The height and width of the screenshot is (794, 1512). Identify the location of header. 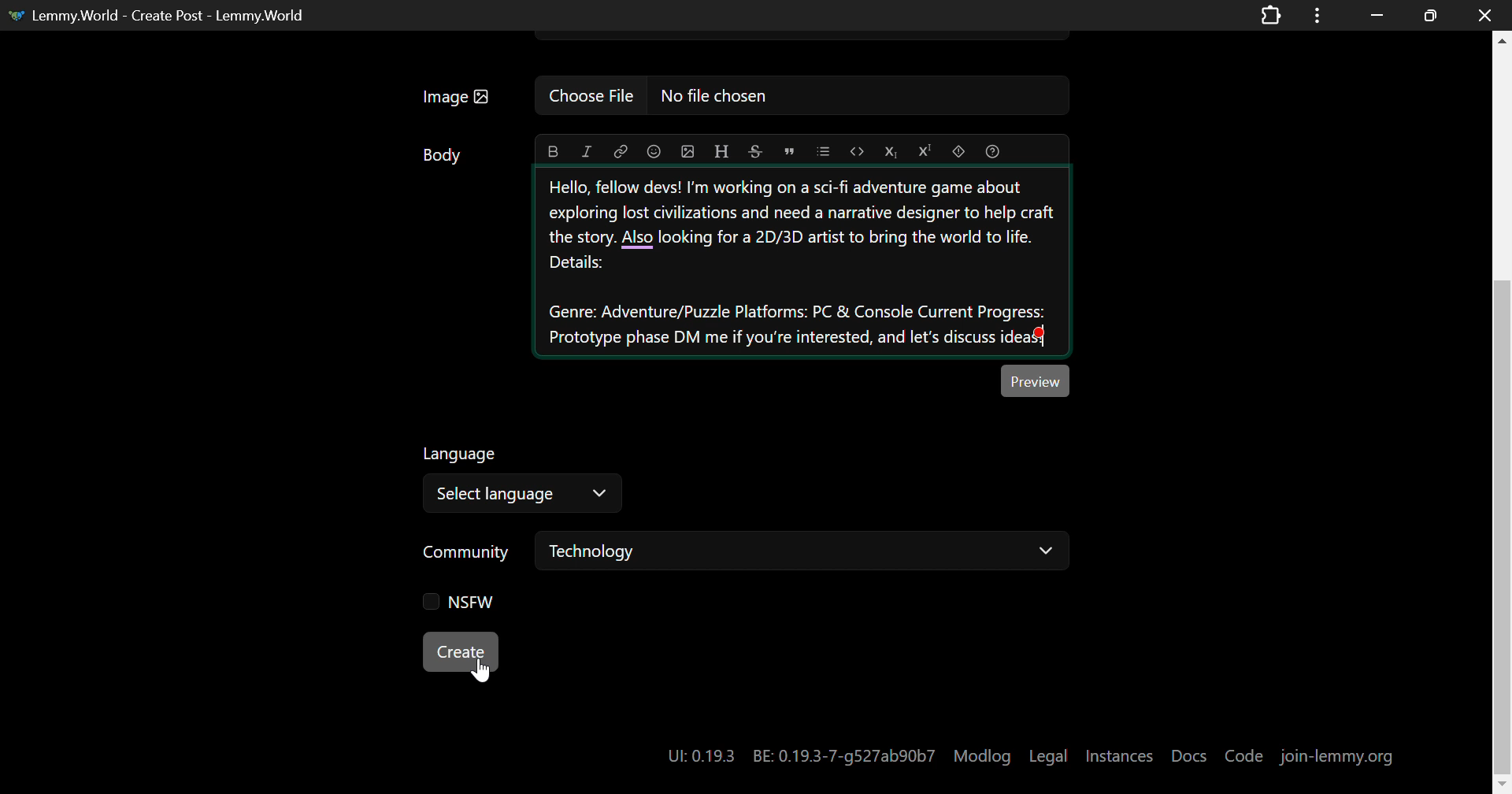
(723, 149).